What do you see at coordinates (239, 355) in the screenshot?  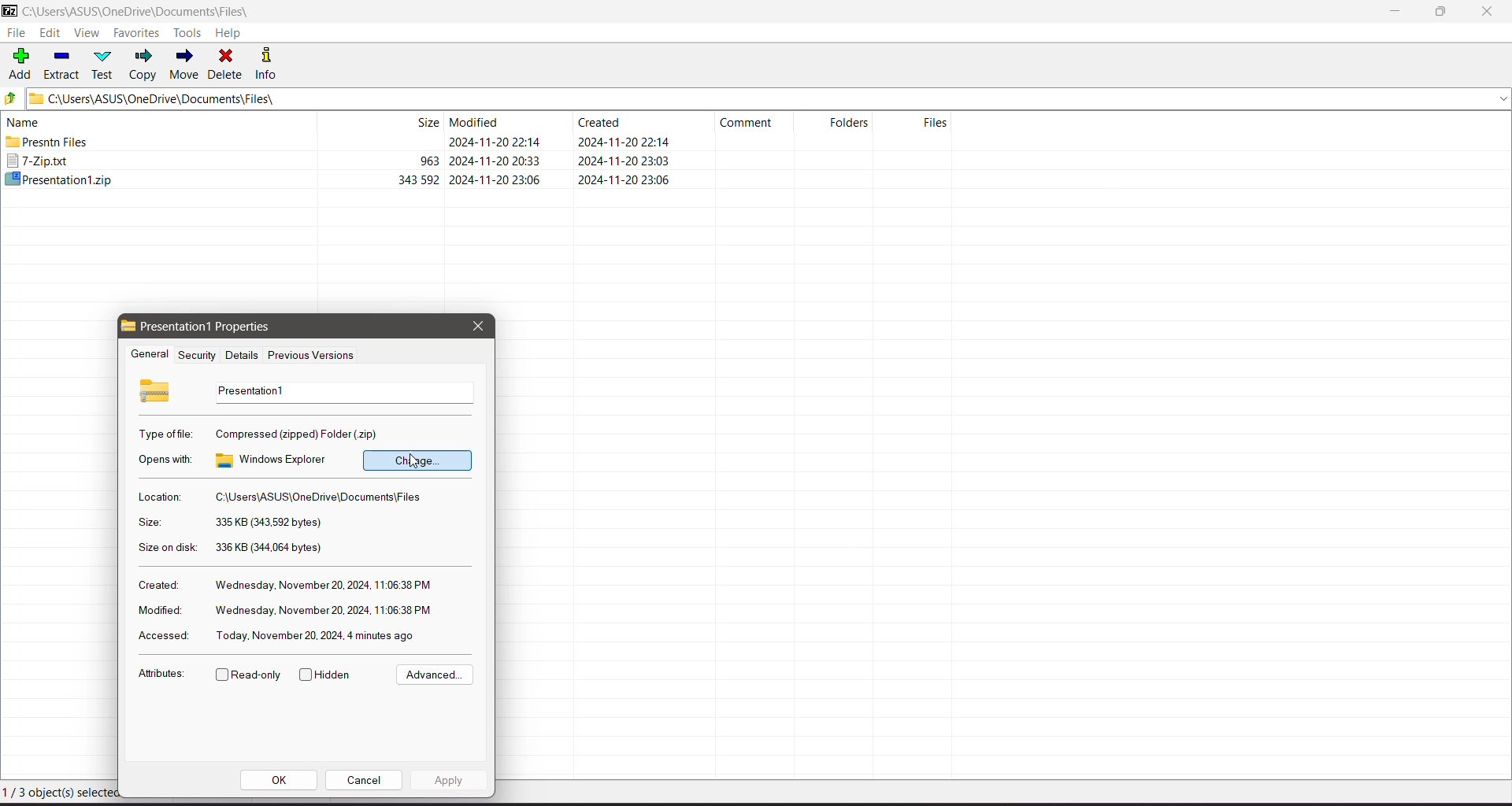 I see `Details` at bounding box center [239, 355].